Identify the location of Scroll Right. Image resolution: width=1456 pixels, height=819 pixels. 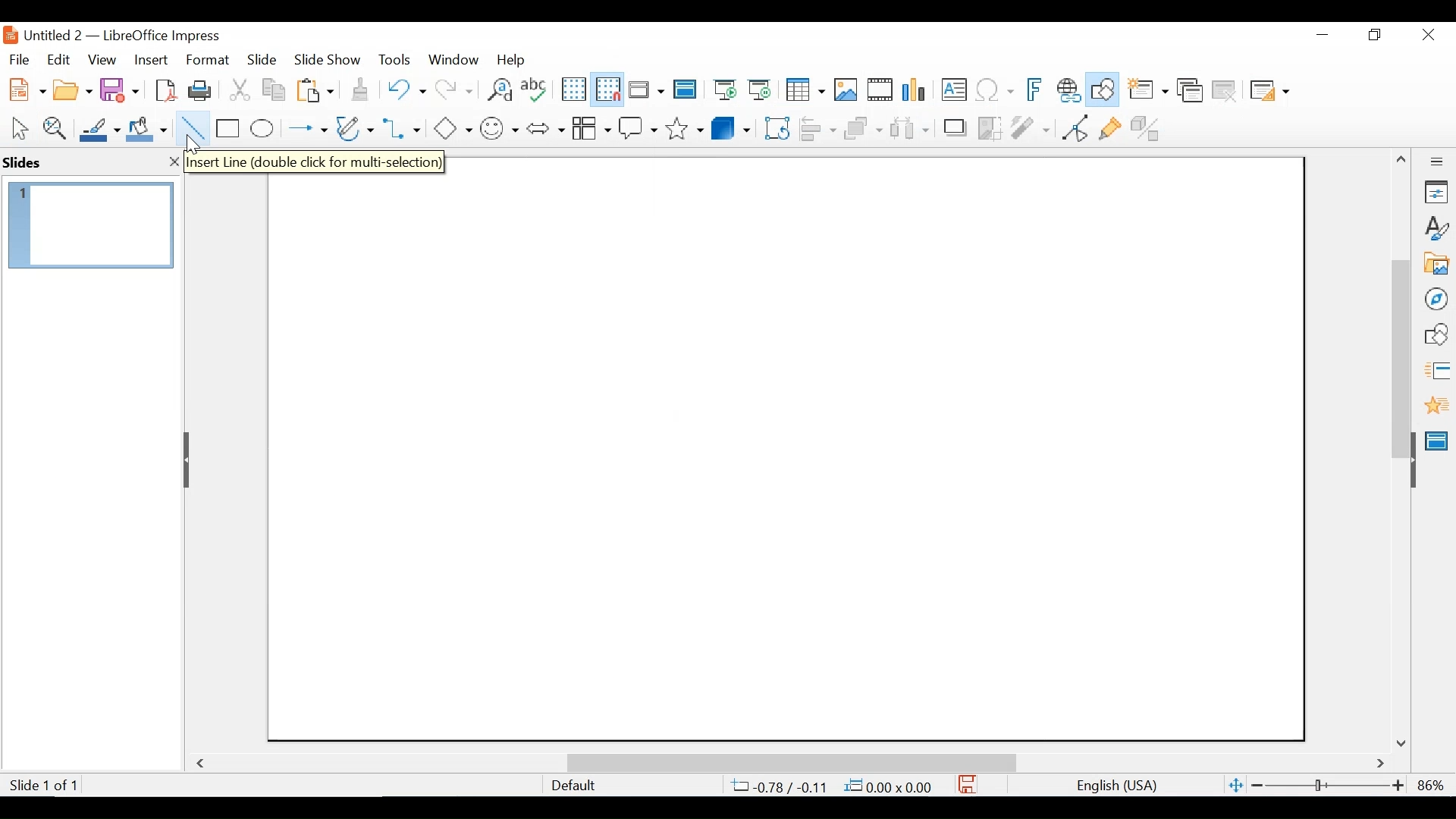
(1381, 764).